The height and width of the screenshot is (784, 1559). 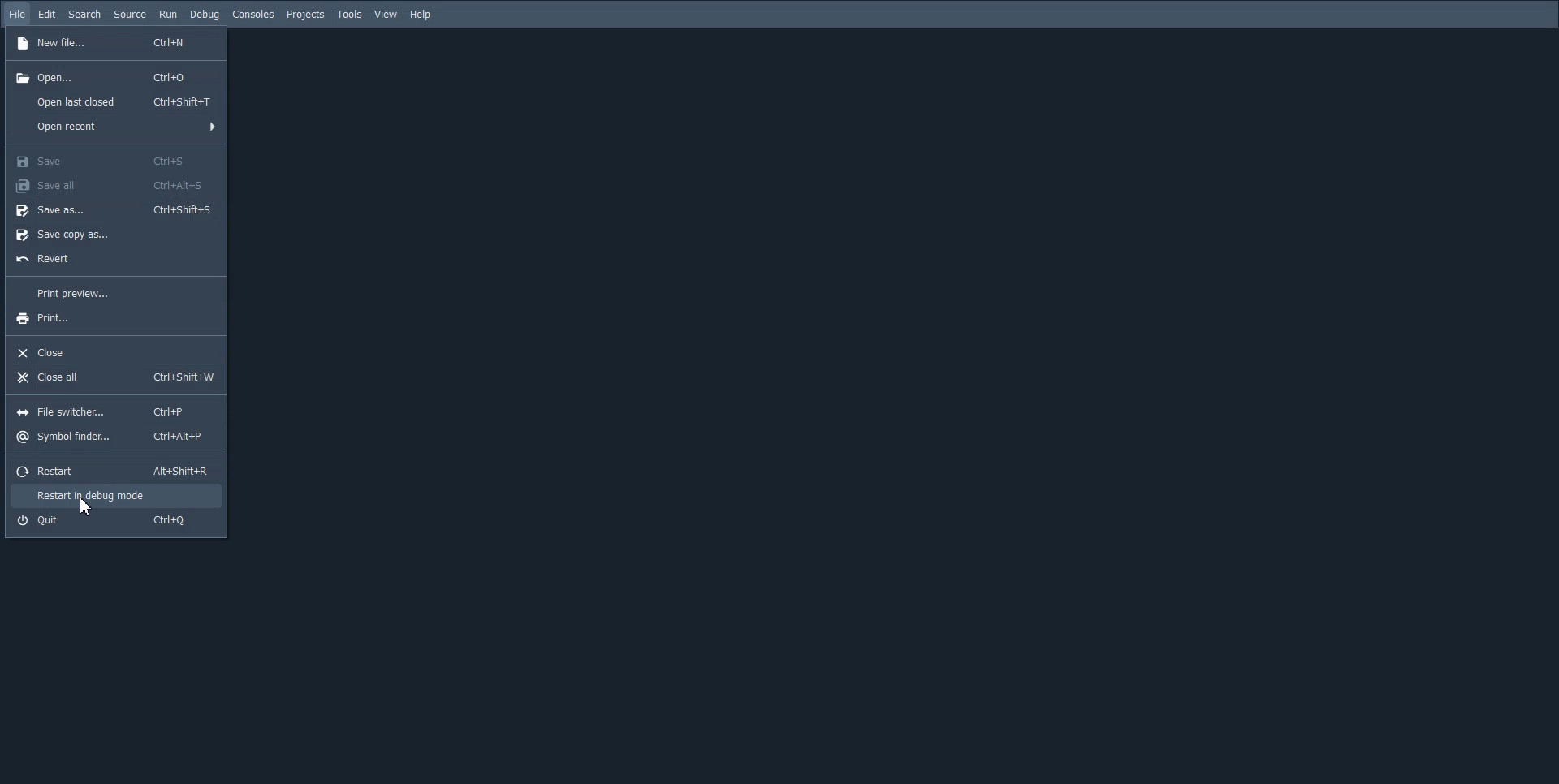 I want to click on Source, so click(x=130, y=14).